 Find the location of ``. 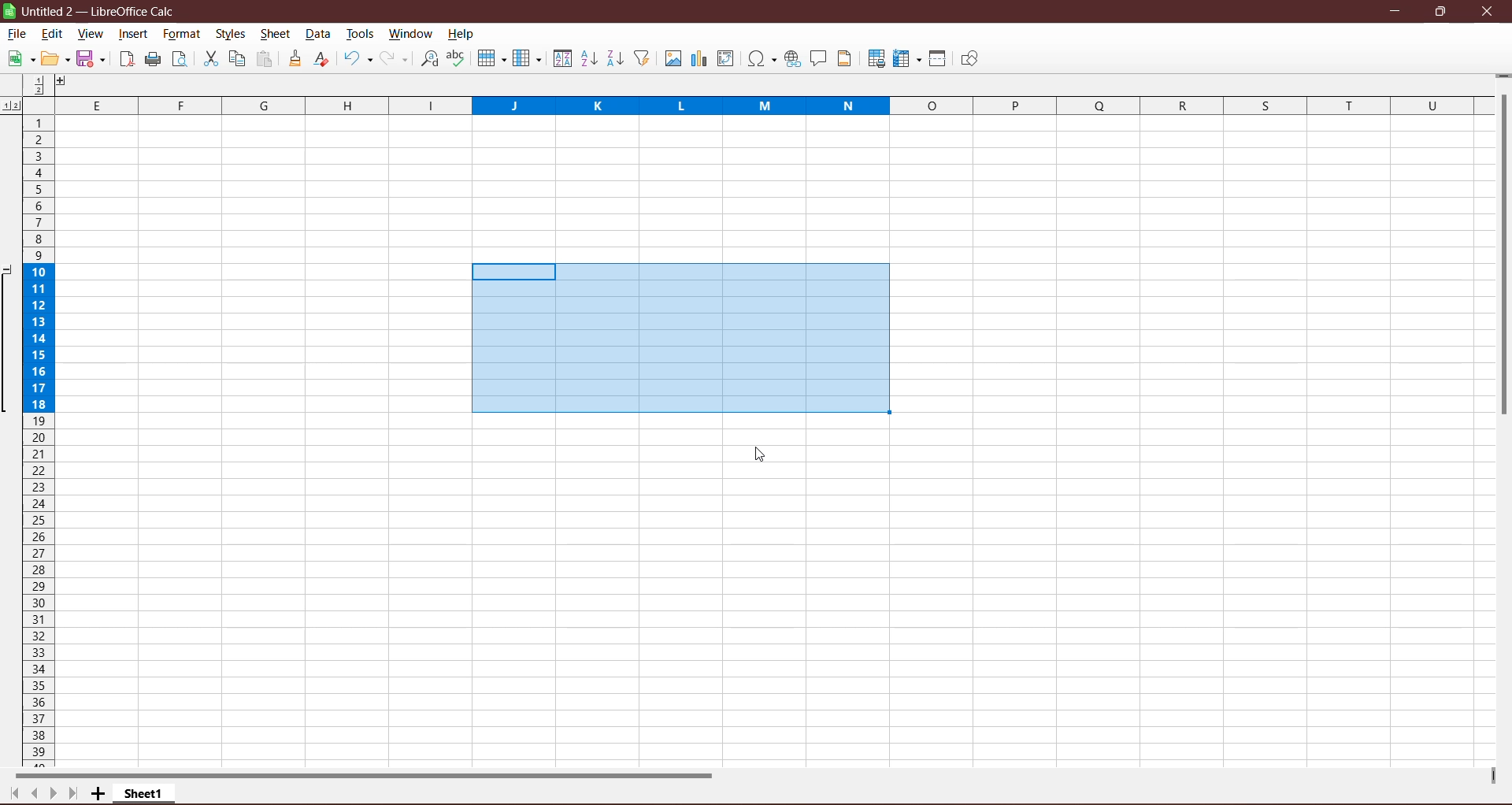

 is located at coordinates (45, 83).